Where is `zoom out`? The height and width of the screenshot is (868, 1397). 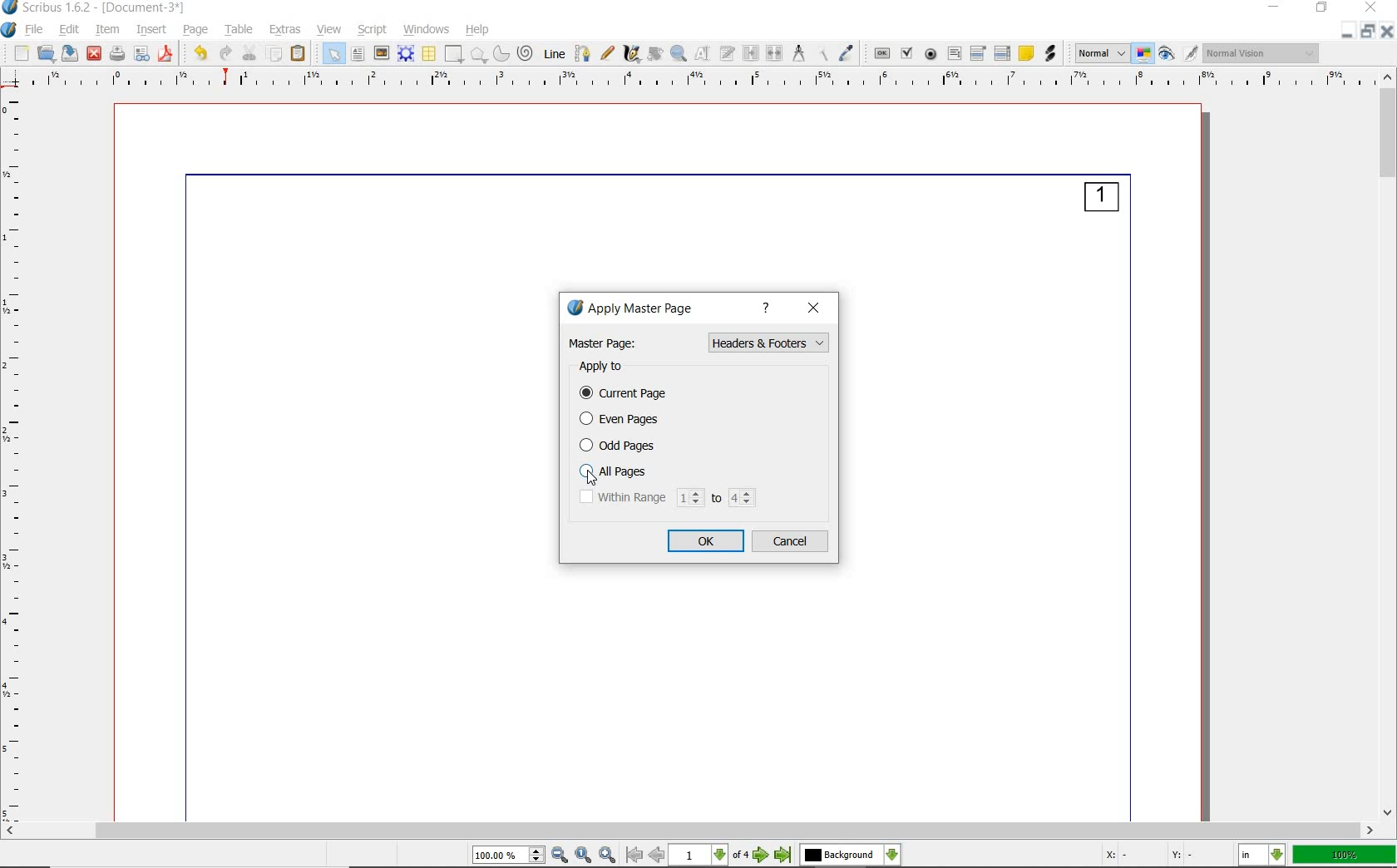 zoom out is located at coordinates (560, 856).